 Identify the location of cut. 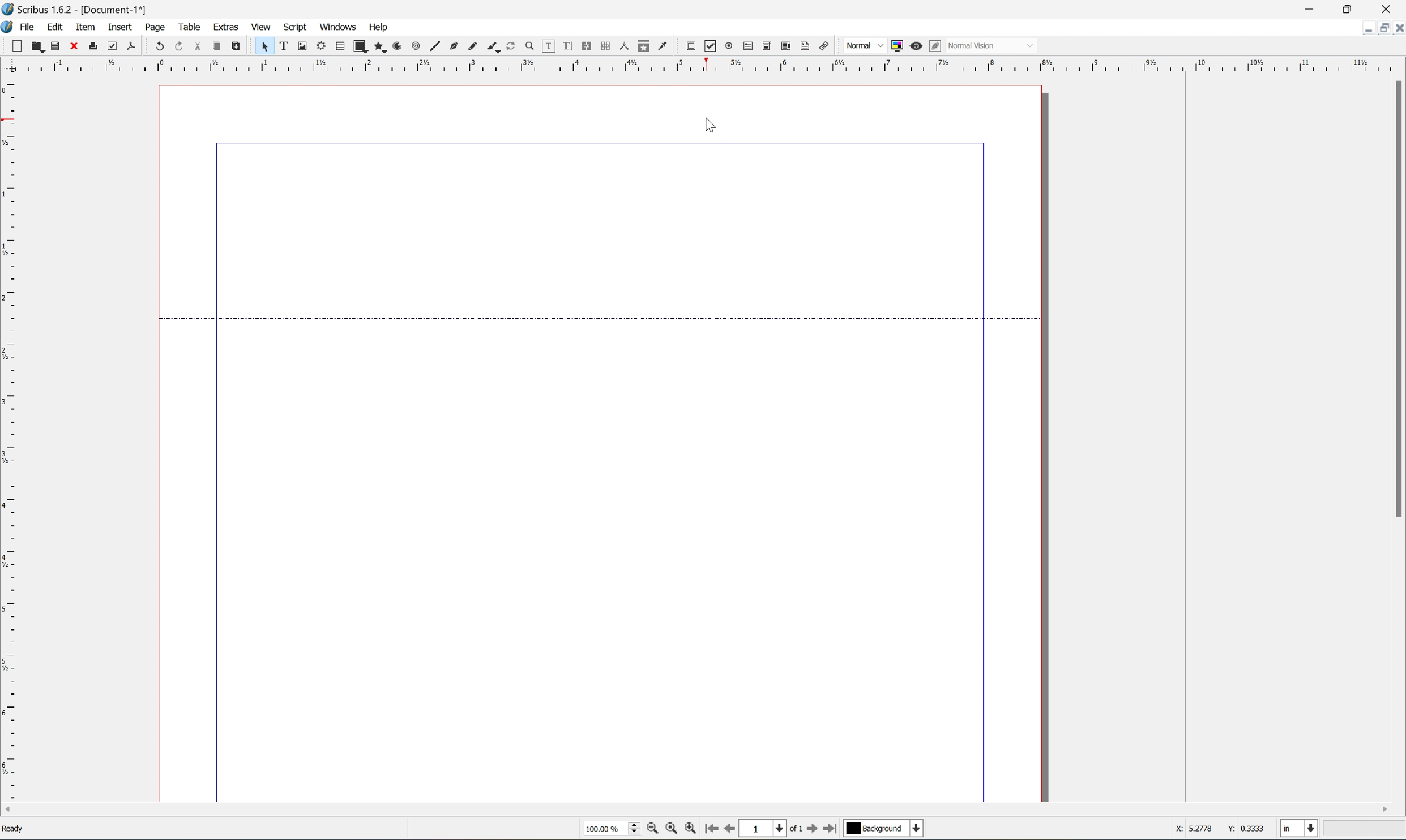
(203, 44).